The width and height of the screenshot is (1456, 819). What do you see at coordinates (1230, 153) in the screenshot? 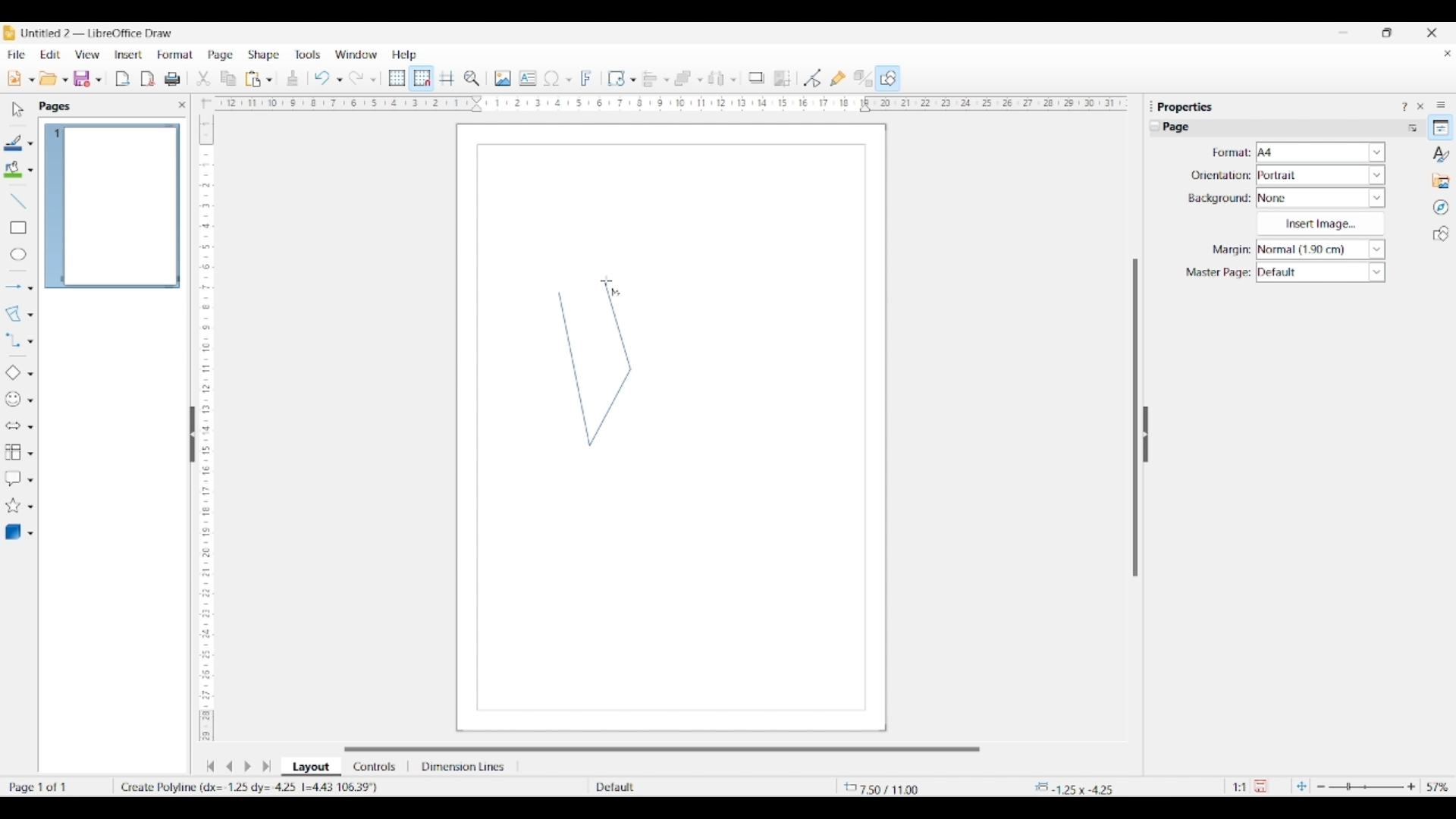
I see `Indicates format settings` at bounding box center [1230, 153].